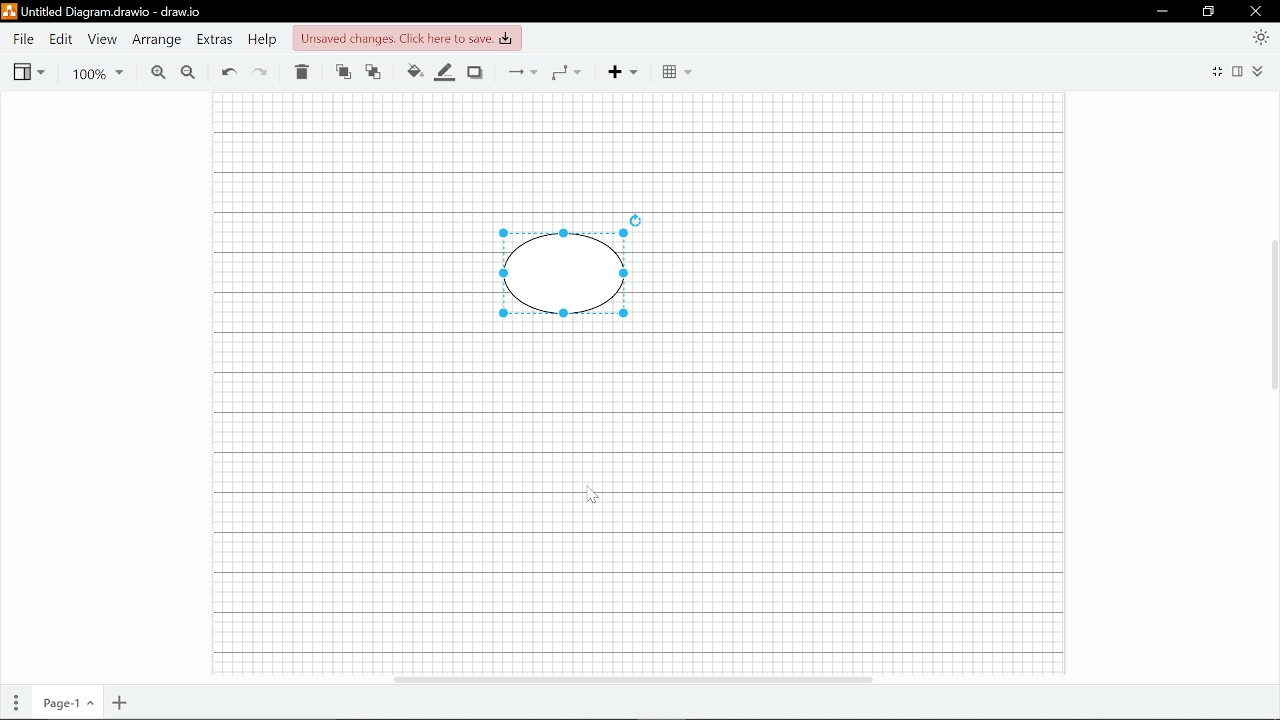 The image size is (1280, 720). I want to click on Extras, so click(216, 41).